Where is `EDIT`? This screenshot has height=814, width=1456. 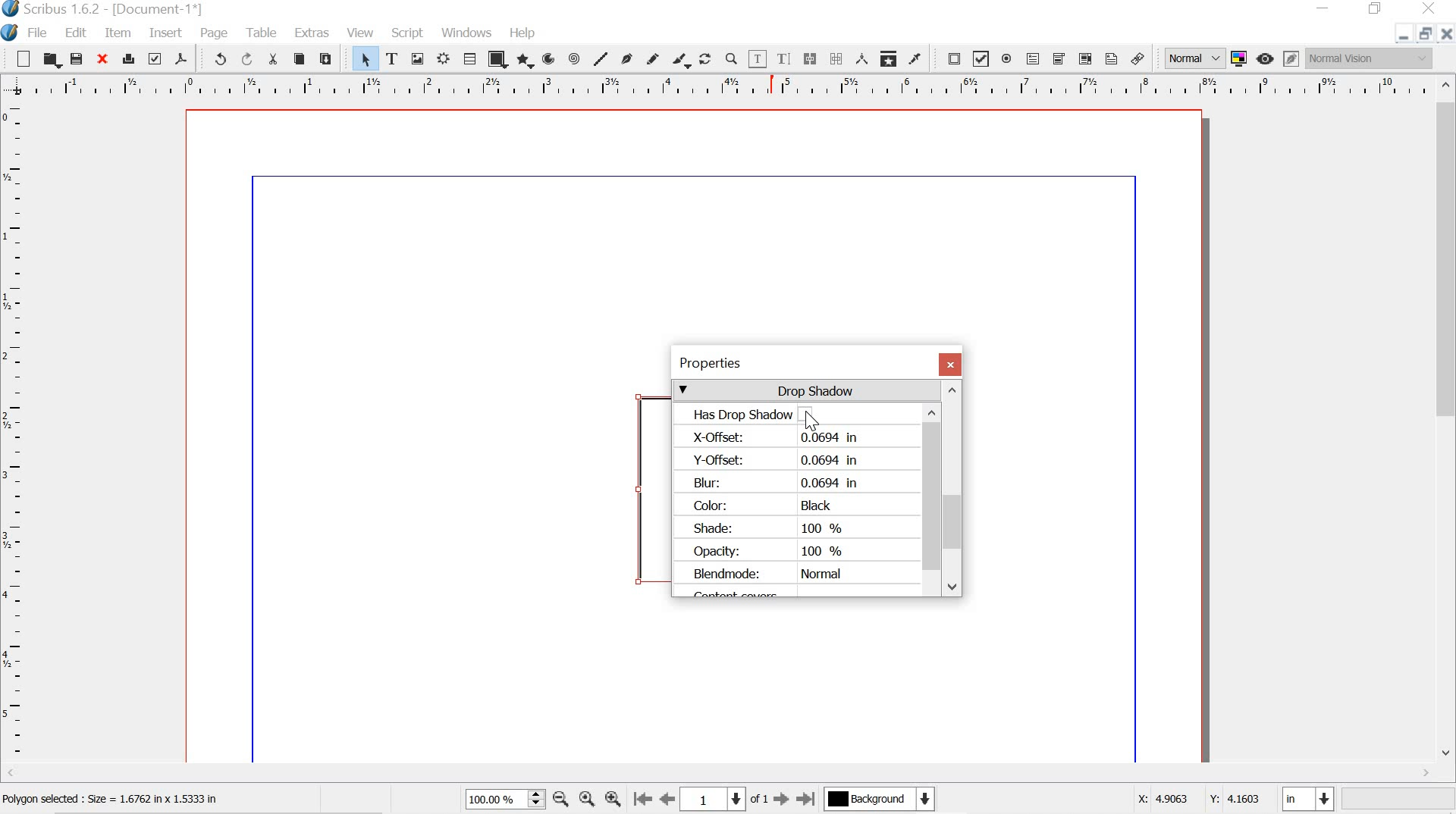 EDIT is located at coordinates (78, 33).